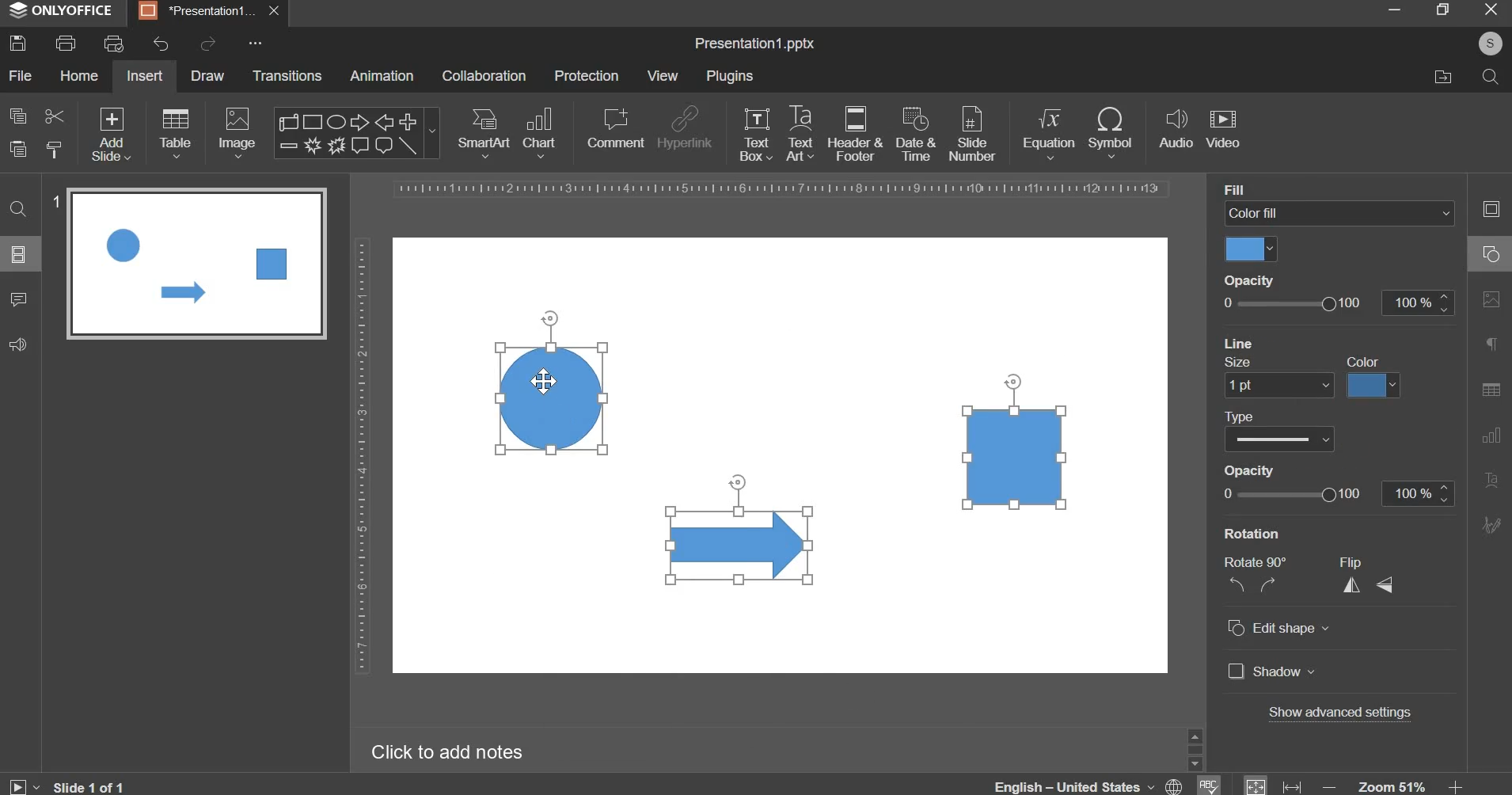 Image resolution: width=1512 pixels, height=795 pixels. What do you see at coordinates (1490, 478) in the screenshot?
I see `text art setting` at bounding box center [1490, 478].